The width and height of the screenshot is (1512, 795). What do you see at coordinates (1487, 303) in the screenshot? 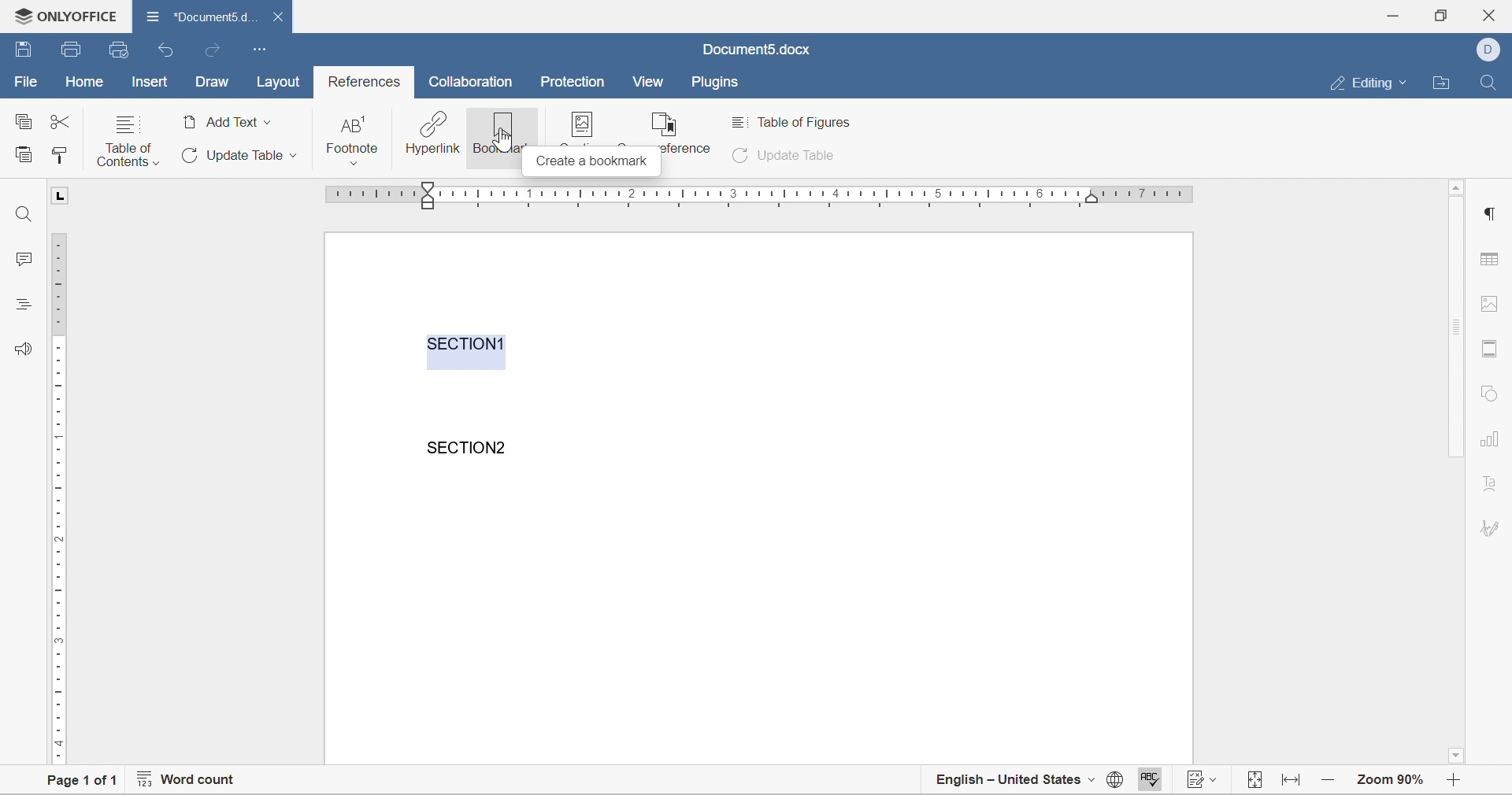
I see `image settings` at bounding box center [1487, 303].